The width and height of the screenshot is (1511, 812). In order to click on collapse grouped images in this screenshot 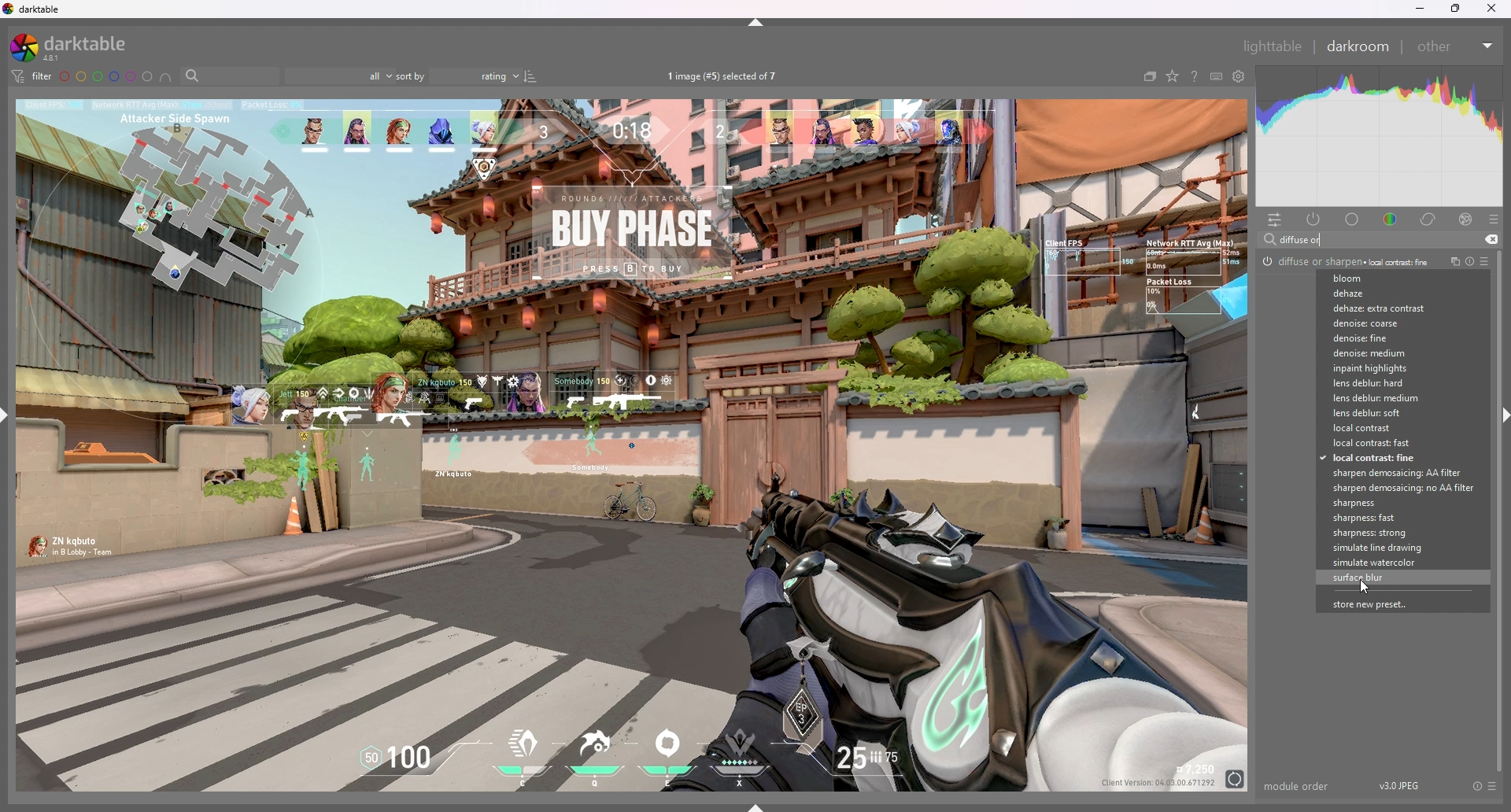, I will do `click(1151, 76)`.